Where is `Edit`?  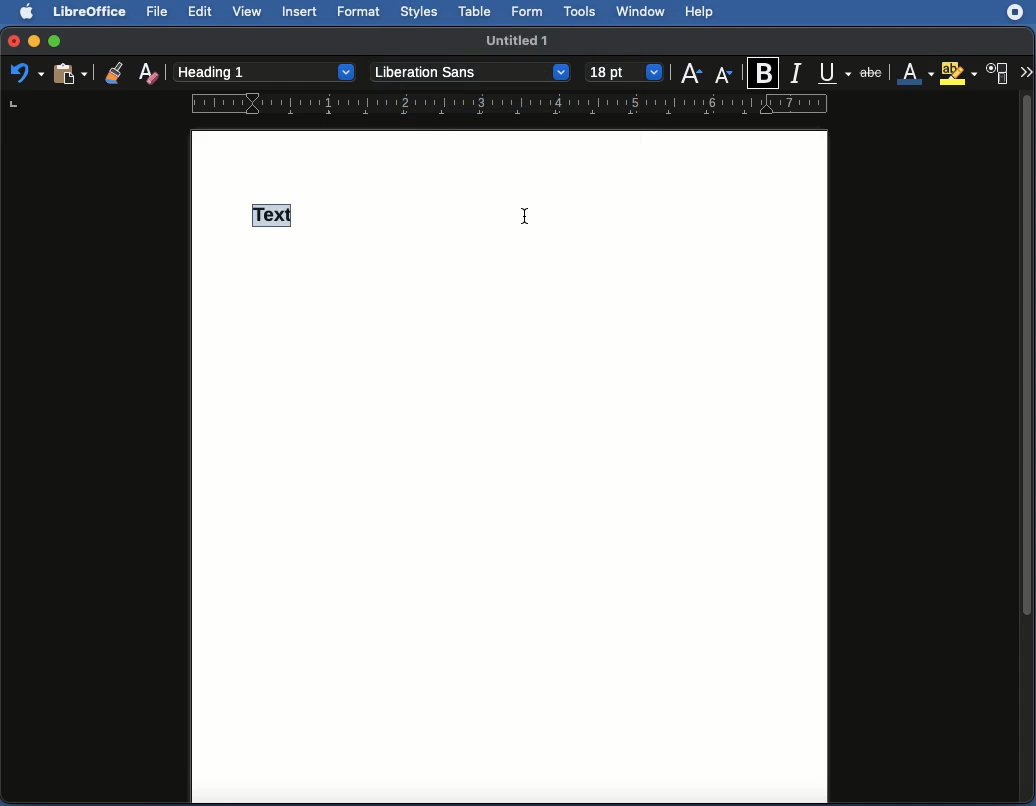 Edit is located at coordinates (202, 12).